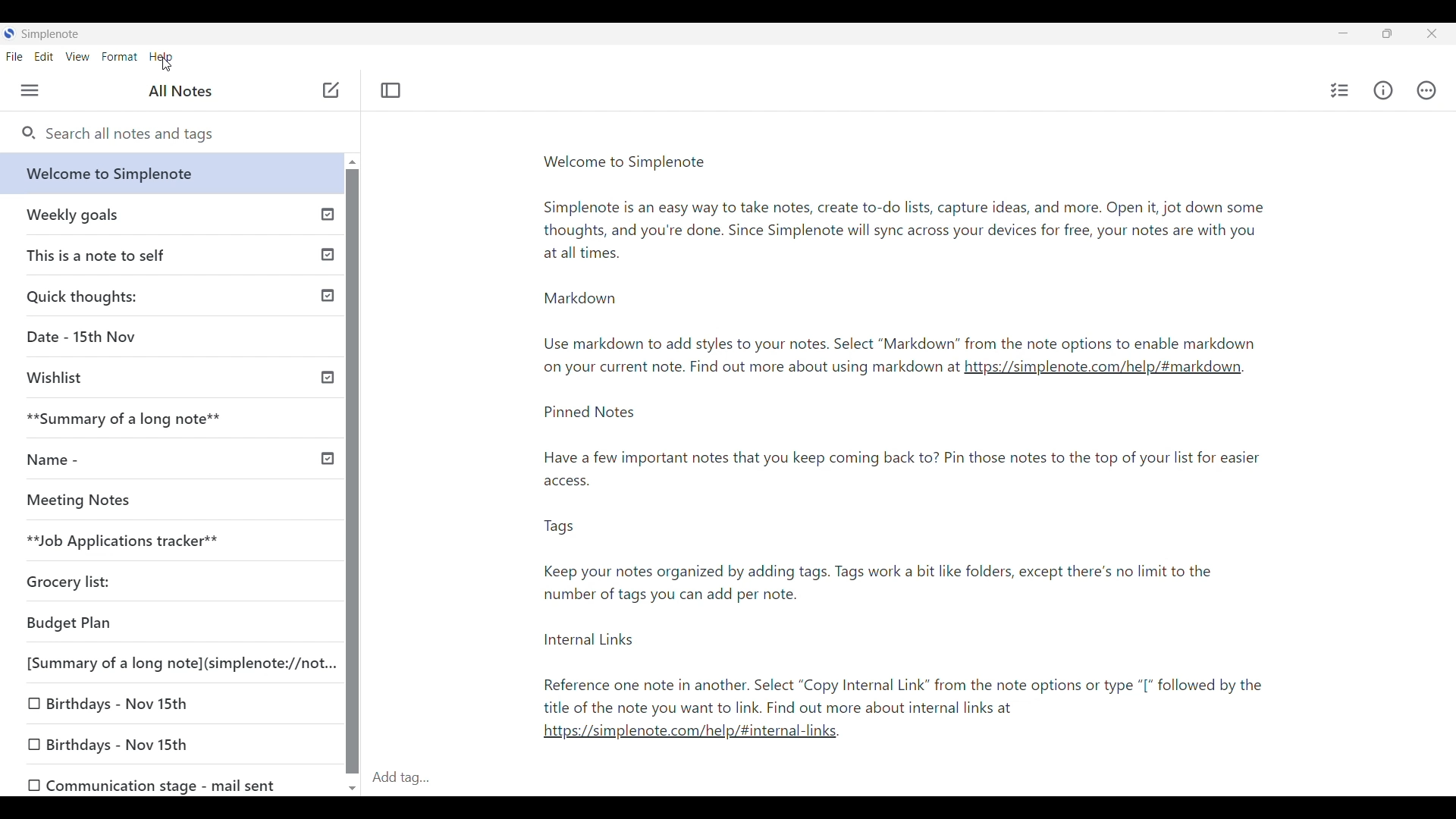 Image resolution: width=1456 pixels, height=819 pixels. Describe the element at coordinates (113, 500) in the screenshot. I see `Meeting Notes` at that location.